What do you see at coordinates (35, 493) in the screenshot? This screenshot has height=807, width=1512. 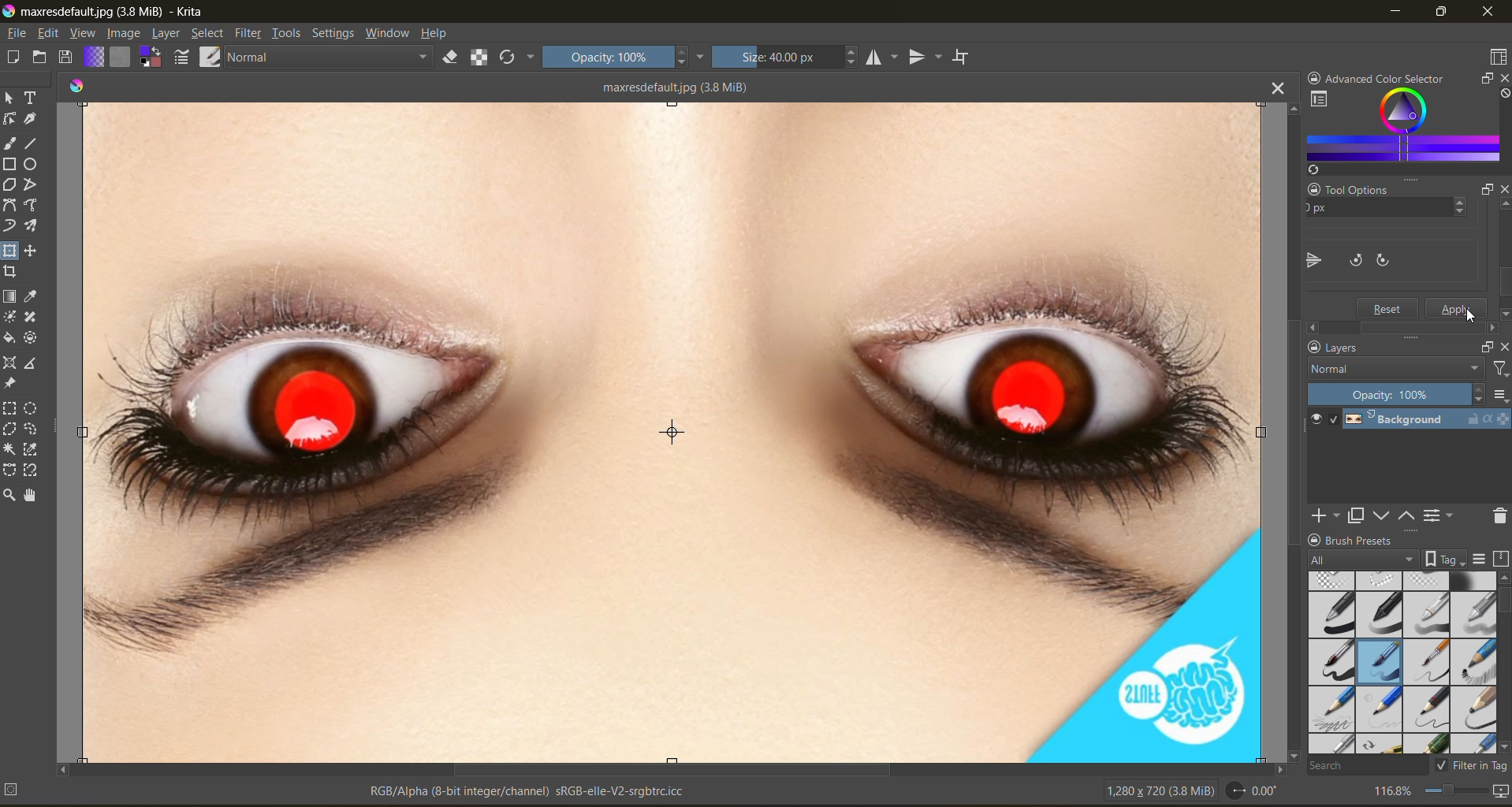 I see `tool` at bounding box center [35, 493].